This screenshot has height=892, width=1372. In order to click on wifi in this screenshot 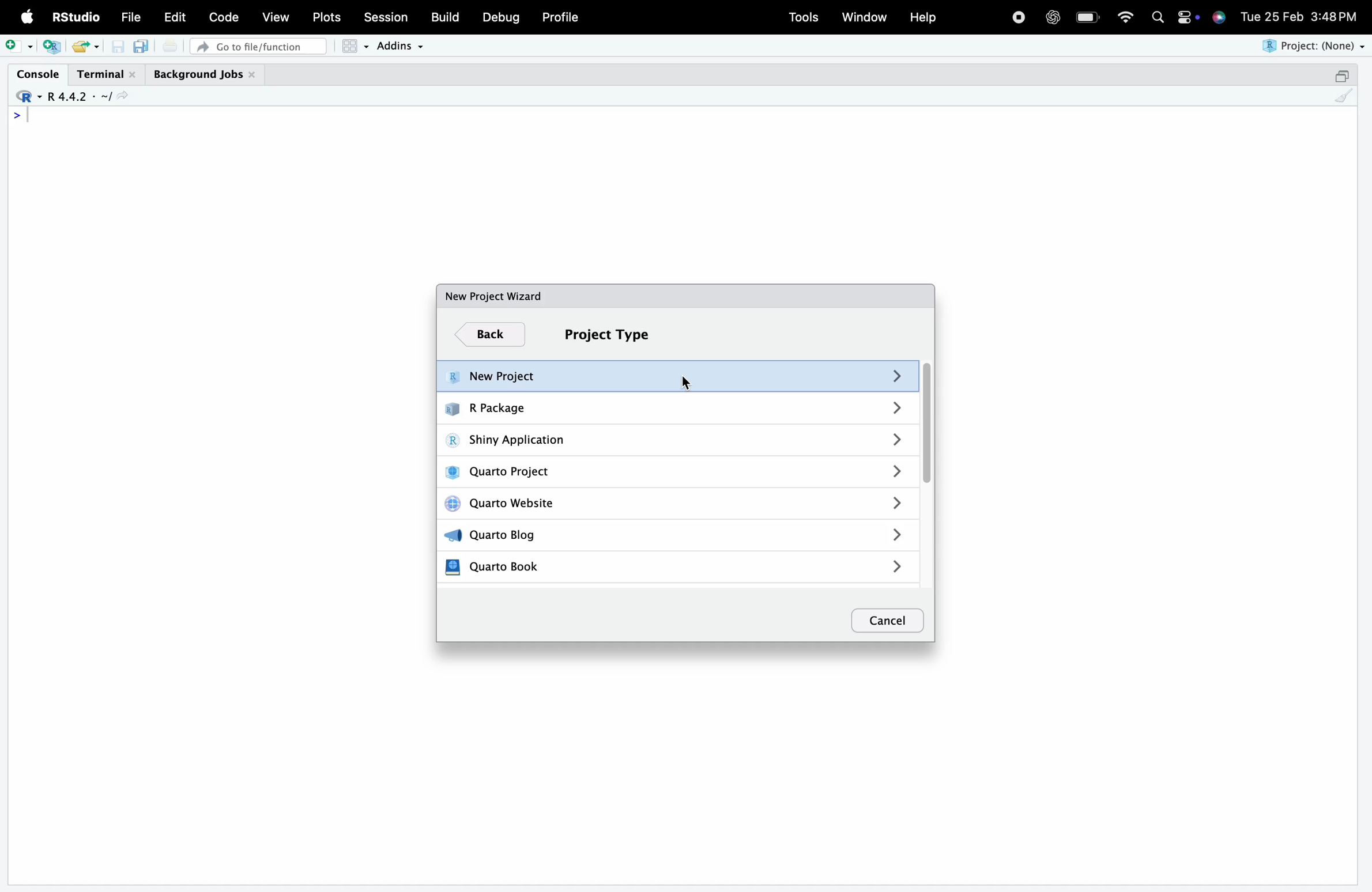, I will do `click(1125, 16)`.